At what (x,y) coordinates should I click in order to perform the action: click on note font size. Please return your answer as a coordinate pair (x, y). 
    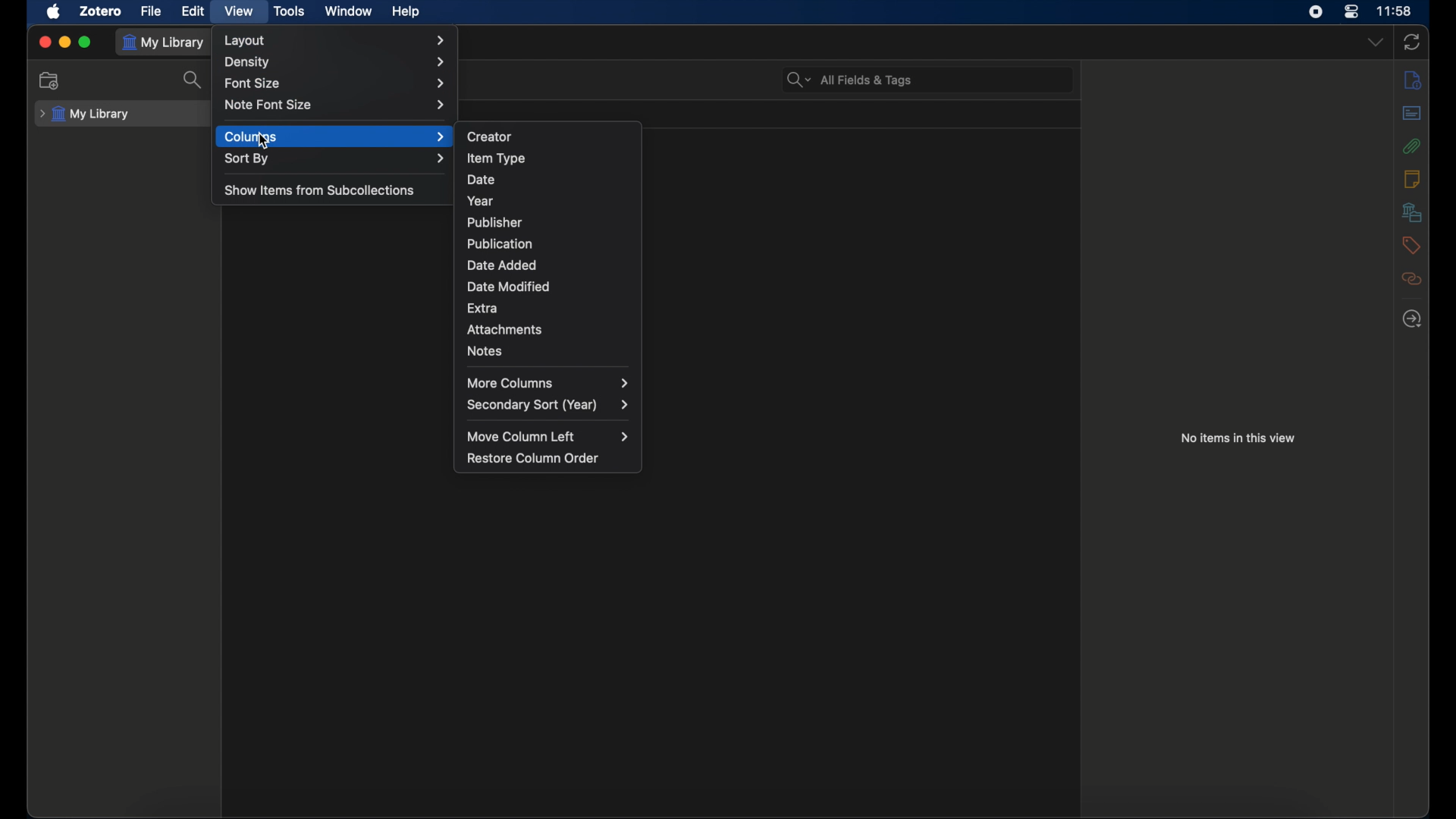
    Looking at the image, I should click on (337, 105).